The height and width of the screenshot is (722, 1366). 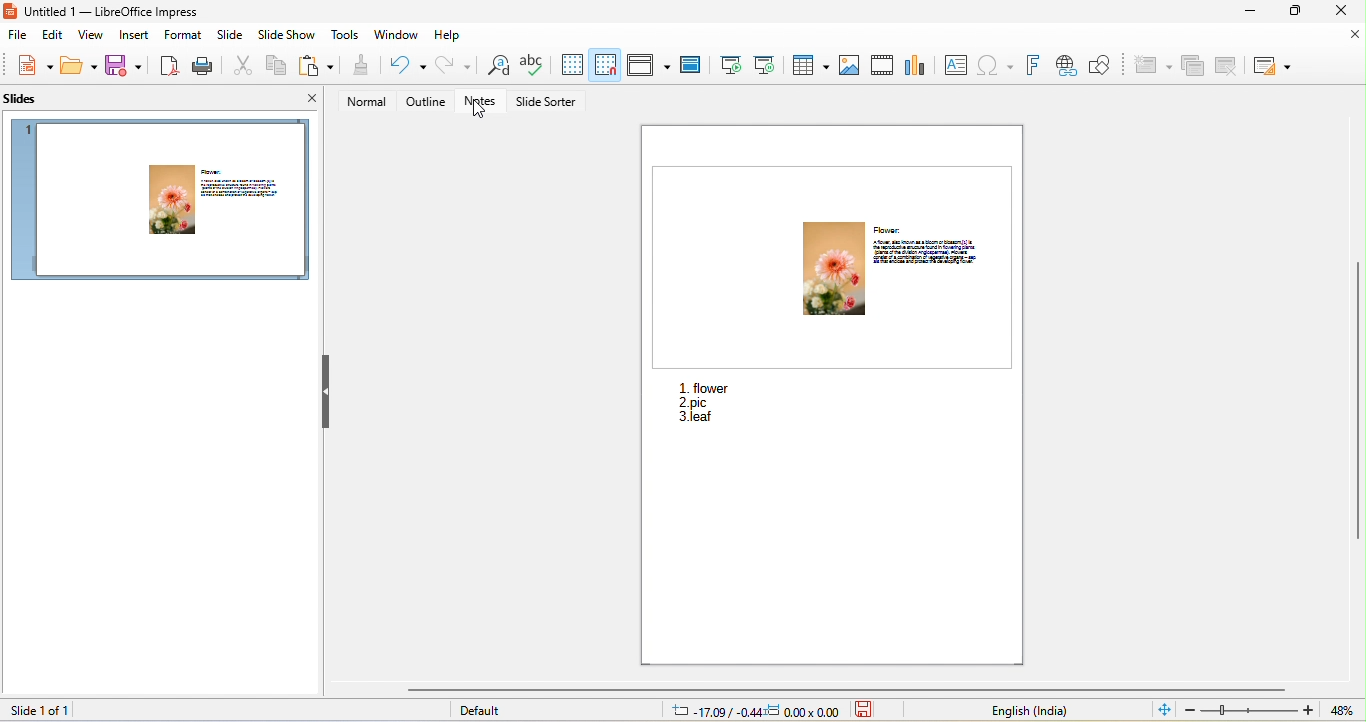 I want to click on help, so click(x=450, y=34).